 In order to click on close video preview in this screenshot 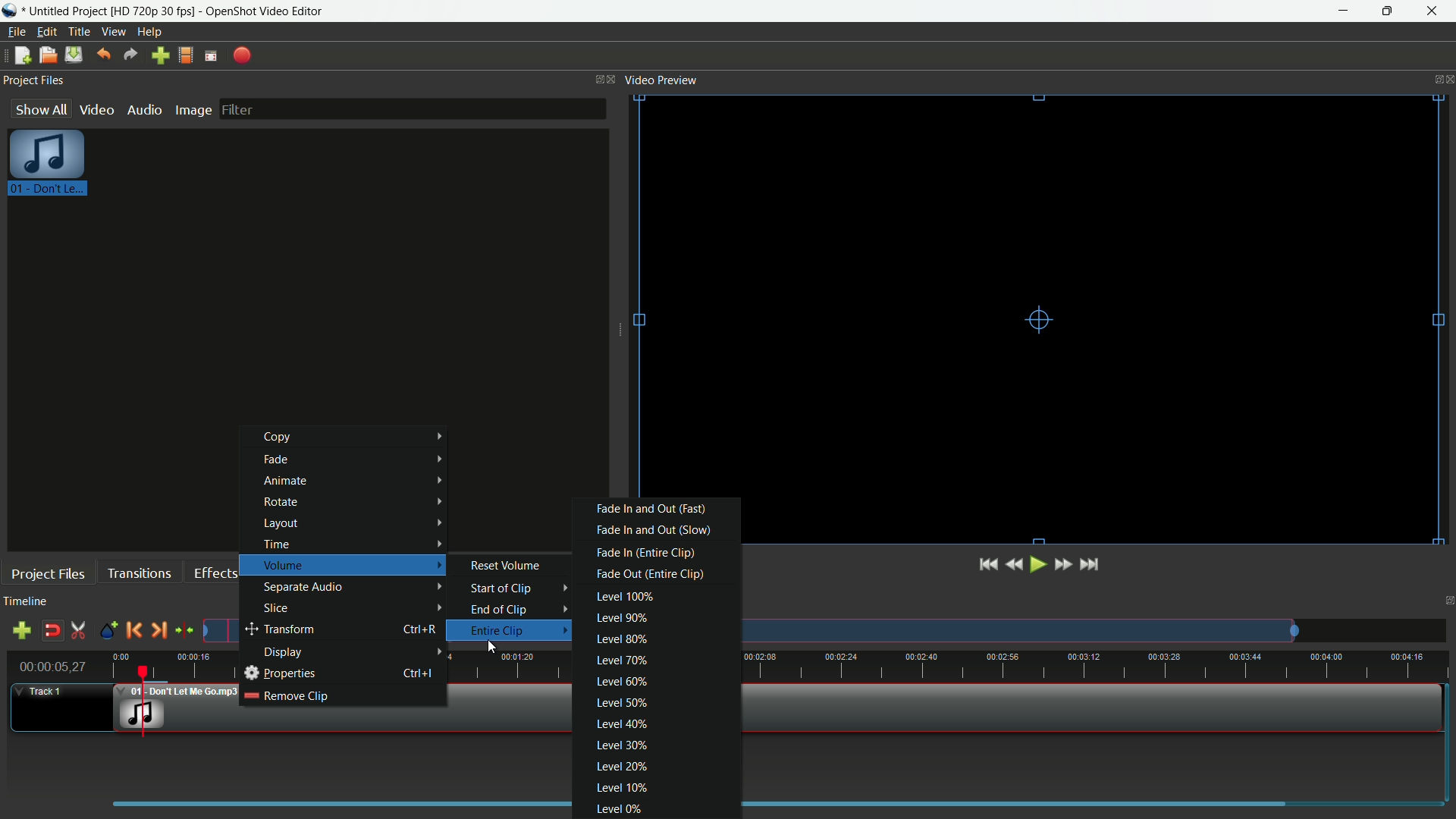, I will do `click(1447, 78)`.